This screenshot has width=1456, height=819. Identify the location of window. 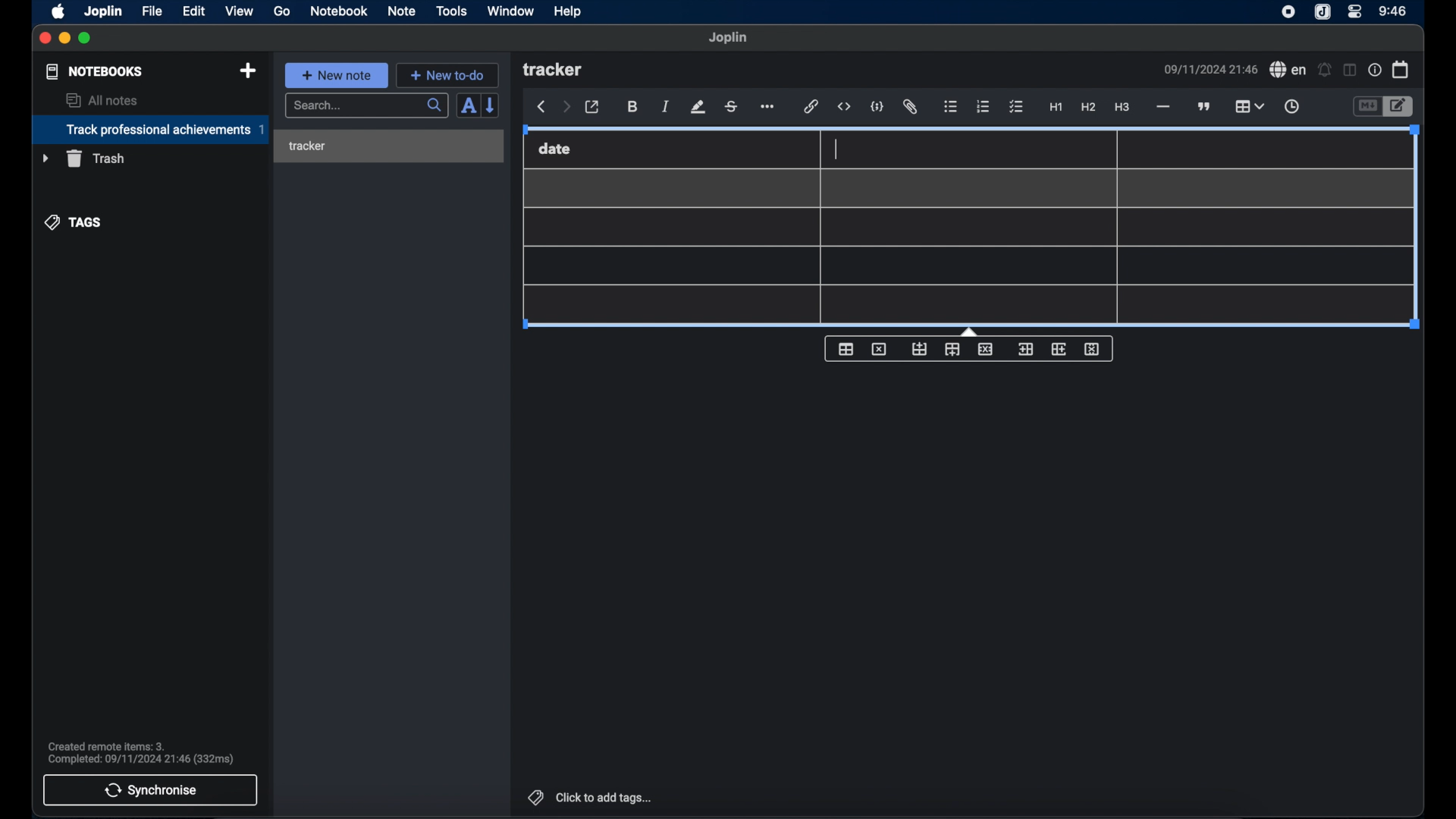
(510, 11).